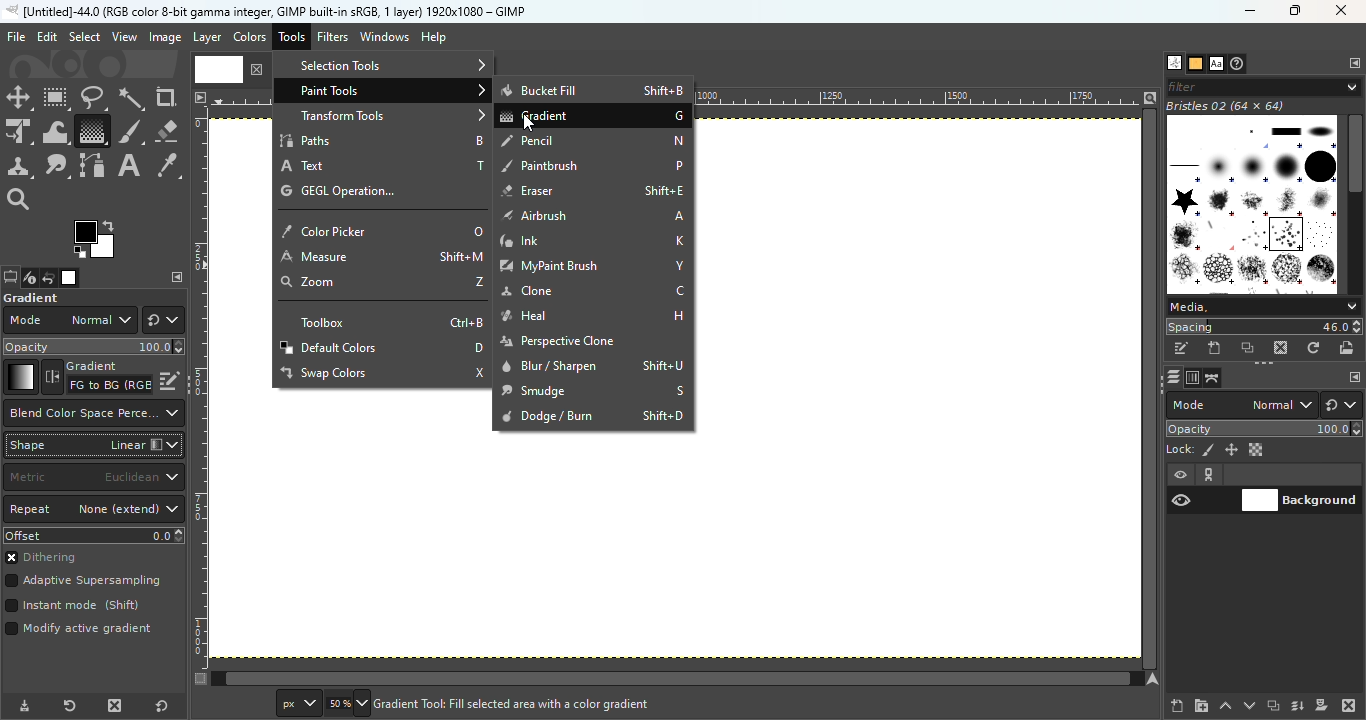 The image size is (1366, 720). Describe the element at coordinates (93, 478) in the screenshot. I see `Matric to the use for the distance calculation` at that location.